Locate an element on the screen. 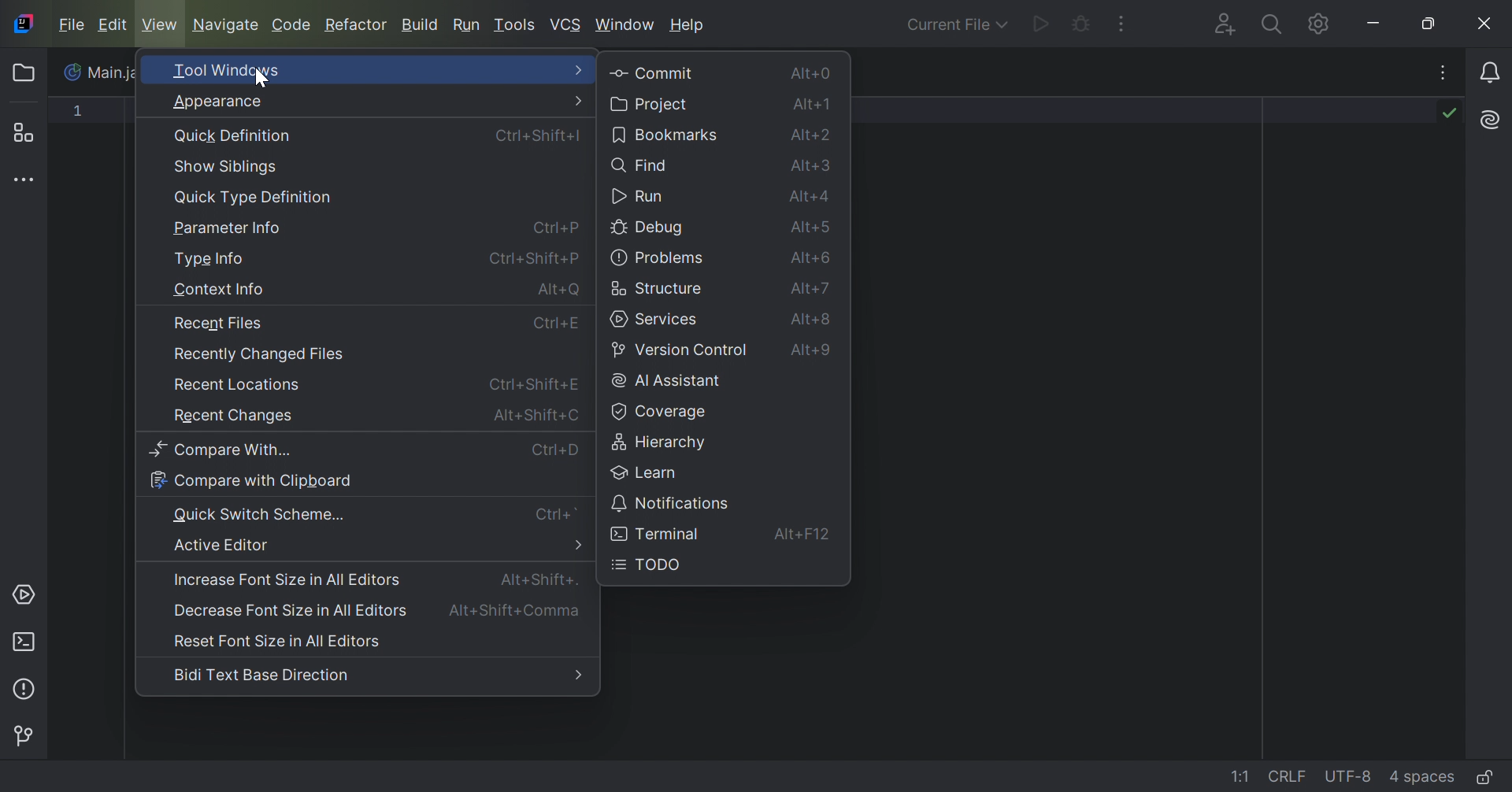  Reset Font Size in All Editors is located at coordinates (280, 642).